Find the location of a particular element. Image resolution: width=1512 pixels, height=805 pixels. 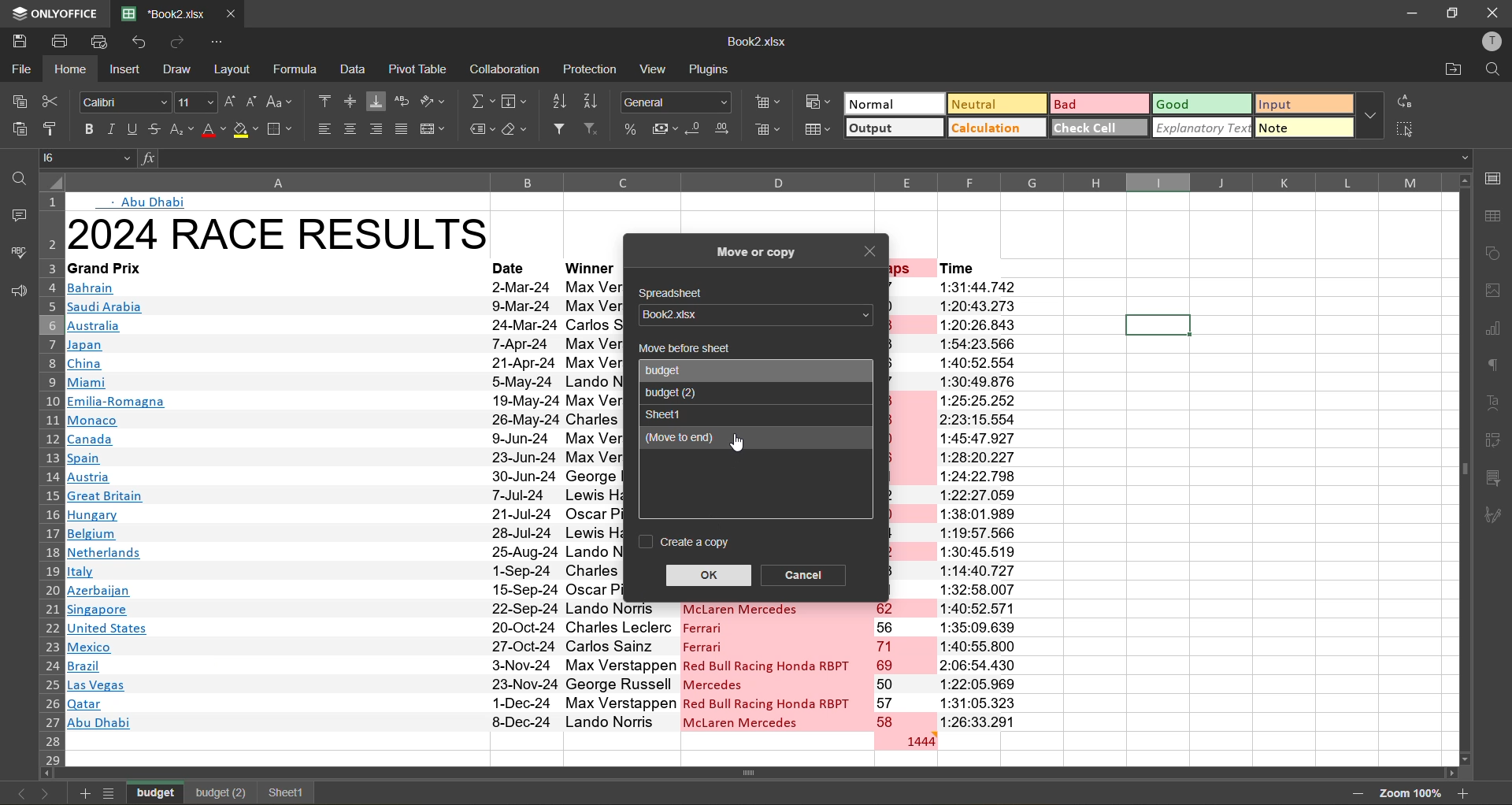

zoom factor is located at coordinates (1409, 792).